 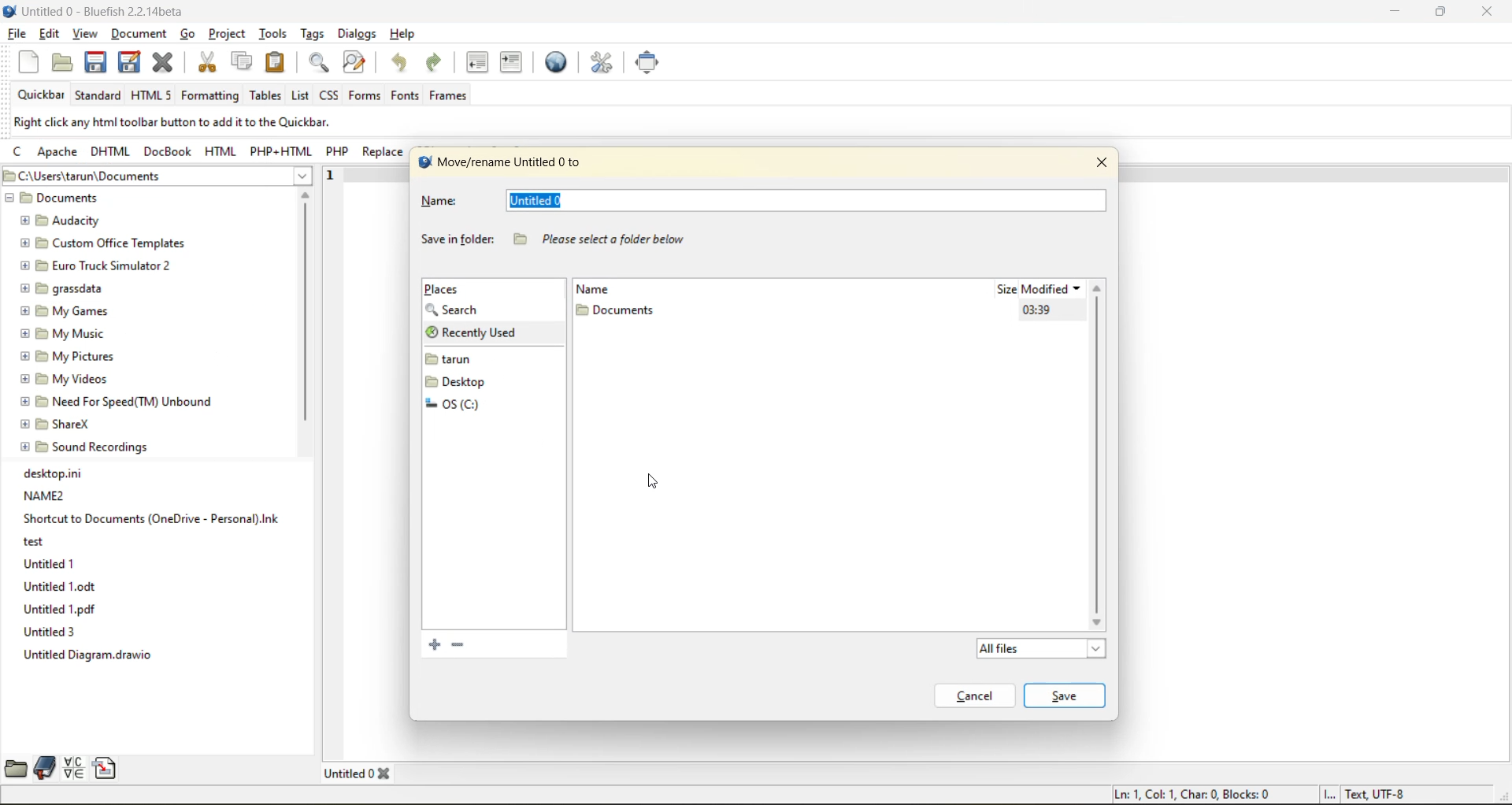 I want to click on fonts, so click(x=404, y=95).